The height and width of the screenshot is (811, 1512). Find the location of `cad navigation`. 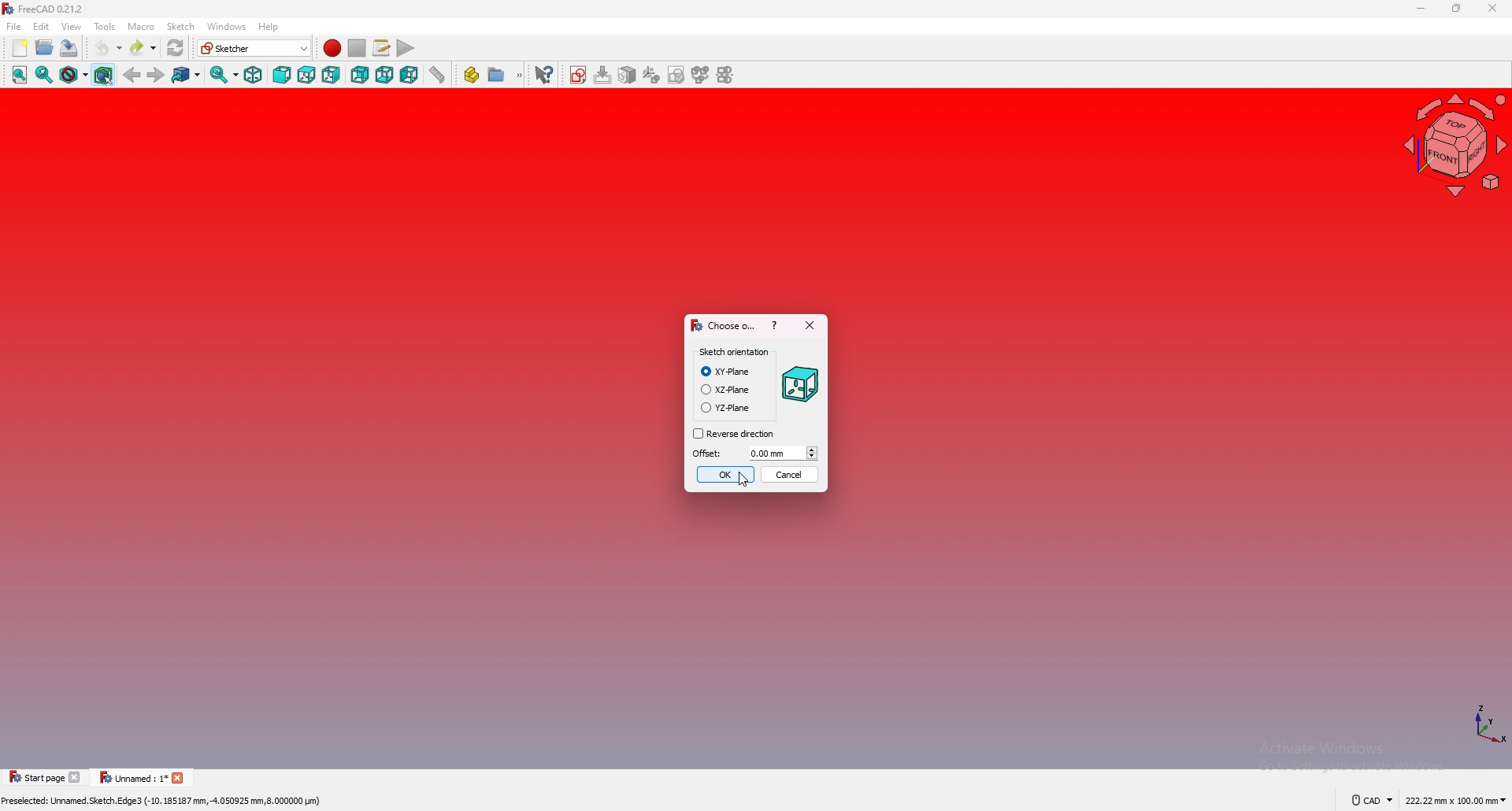

cad navigation is located at coordinates (1373, 800).